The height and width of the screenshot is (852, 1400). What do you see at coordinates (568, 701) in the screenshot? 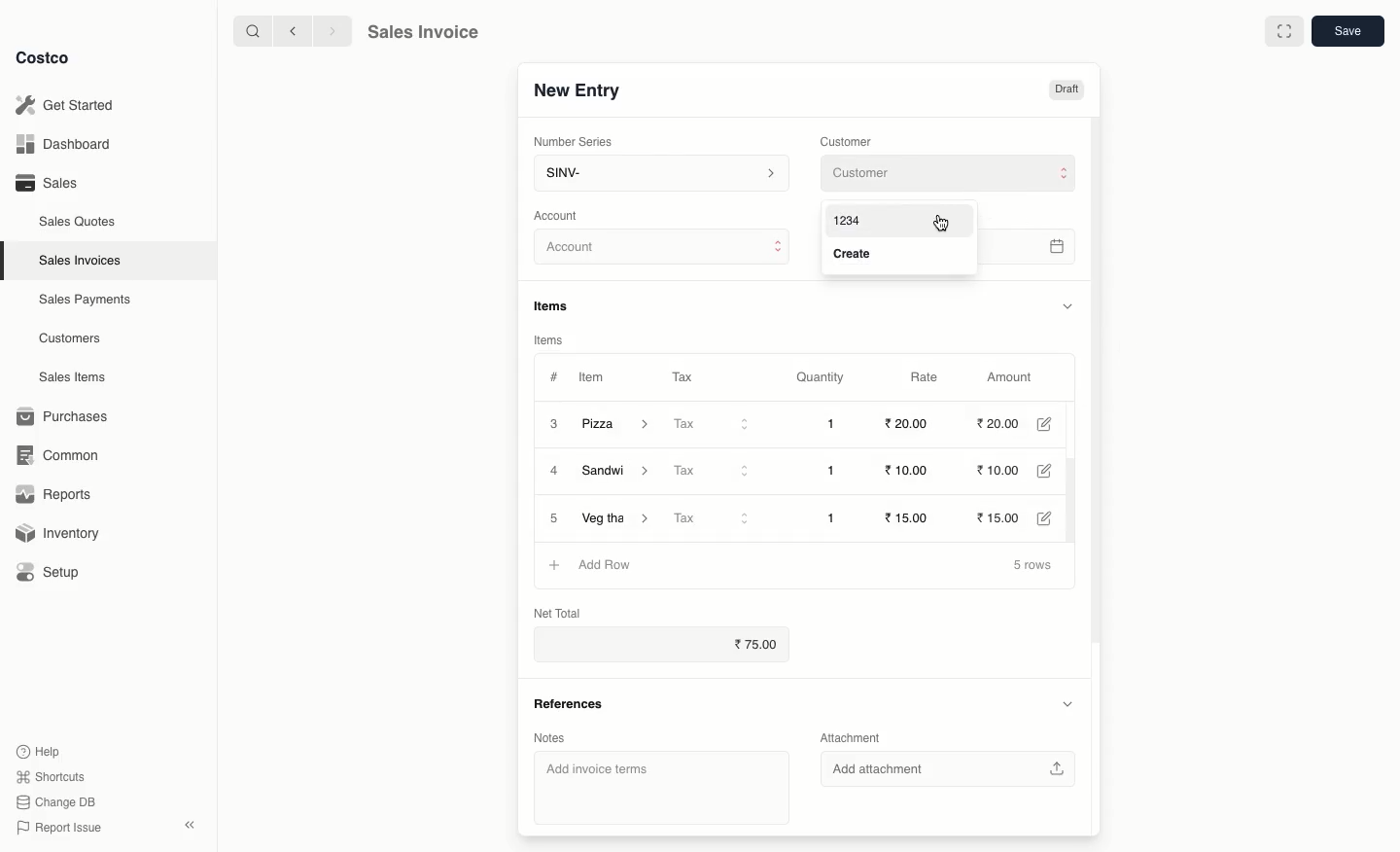
I see `References` at bounding box center [568, 701].